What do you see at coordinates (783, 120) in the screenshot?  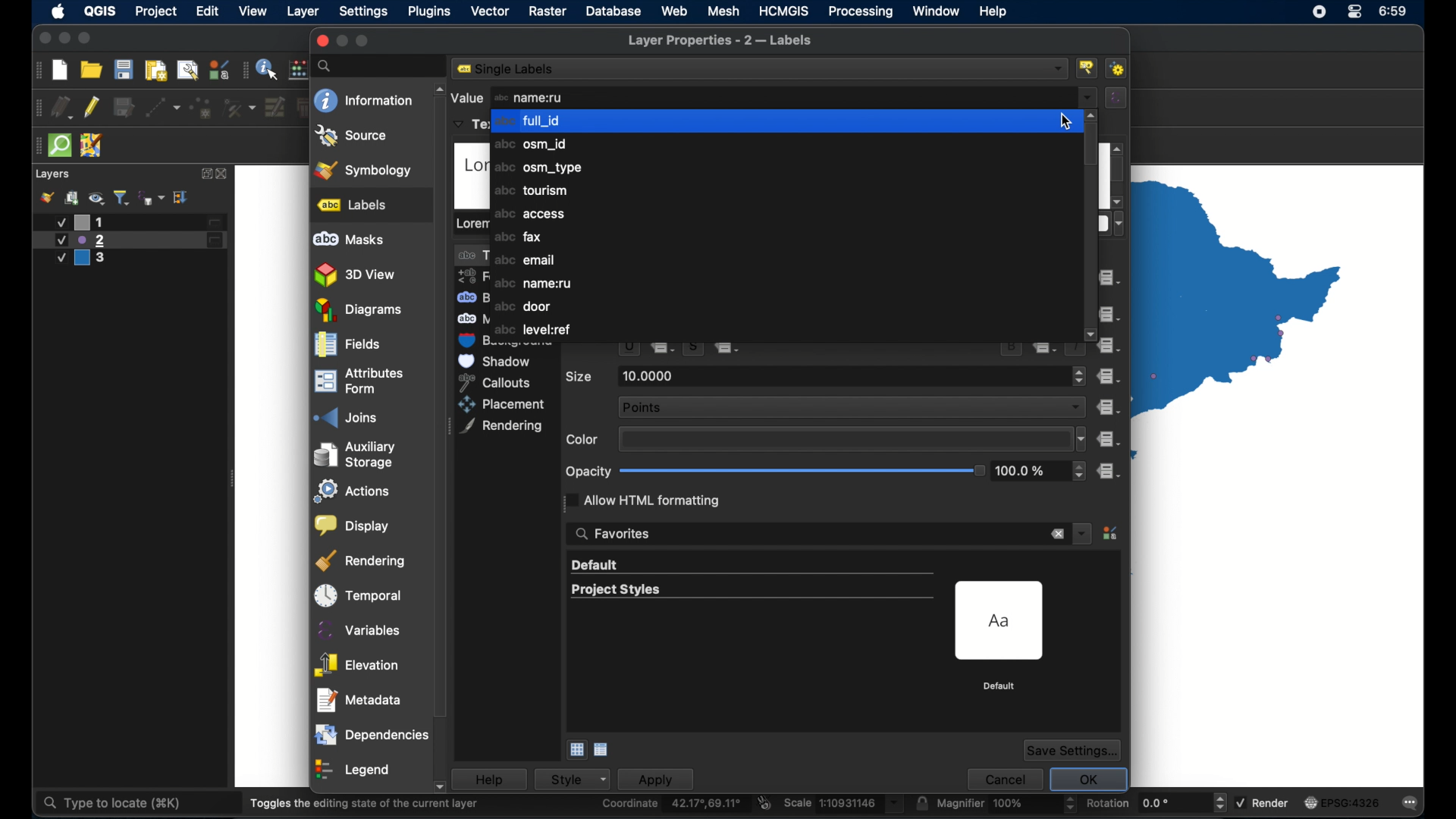 I see `full_id` at bounding box center [783, 120].